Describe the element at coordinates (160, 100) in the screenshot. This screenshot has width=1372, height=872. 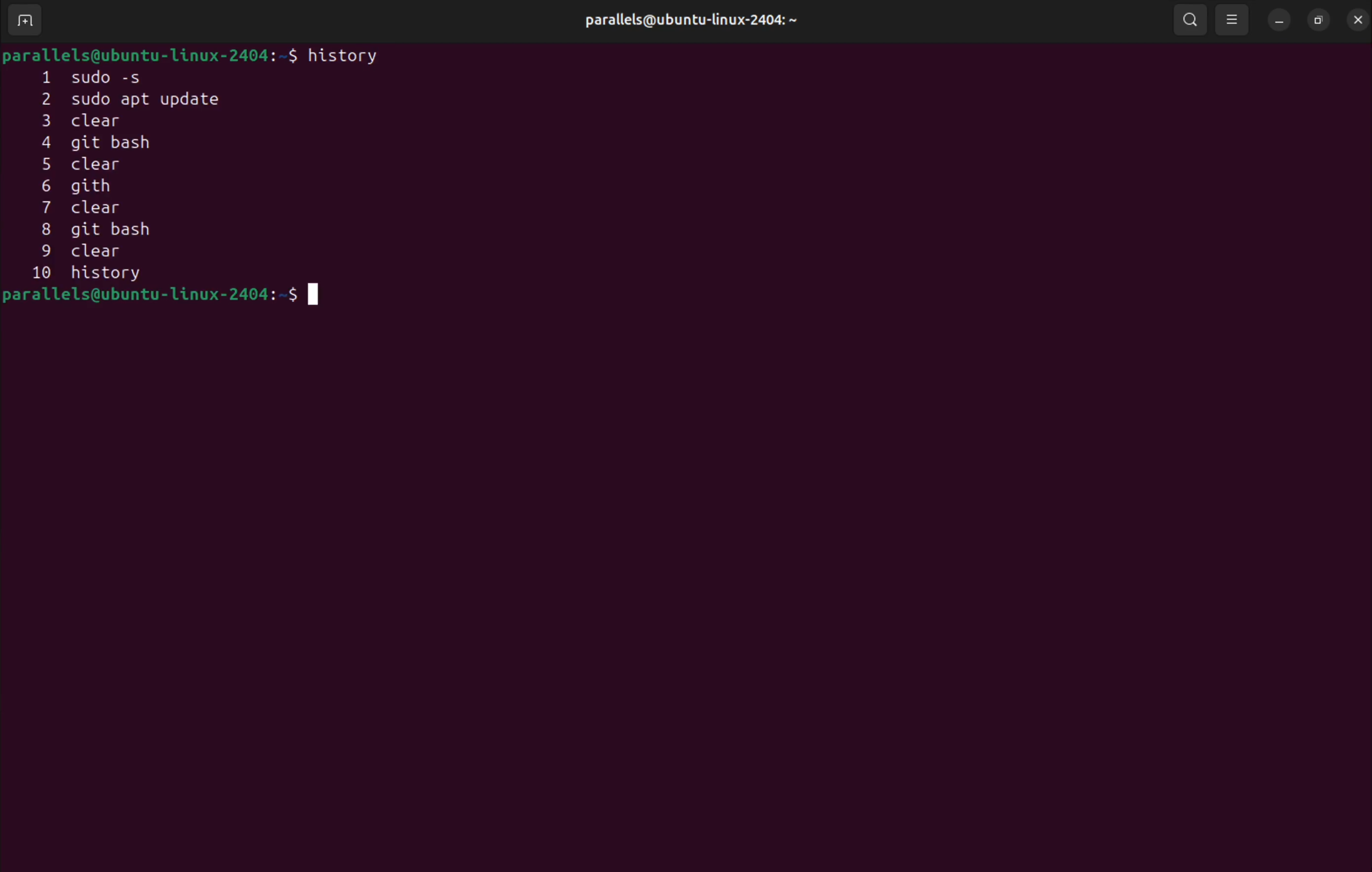
I see `2. sudo apt update` at that location.